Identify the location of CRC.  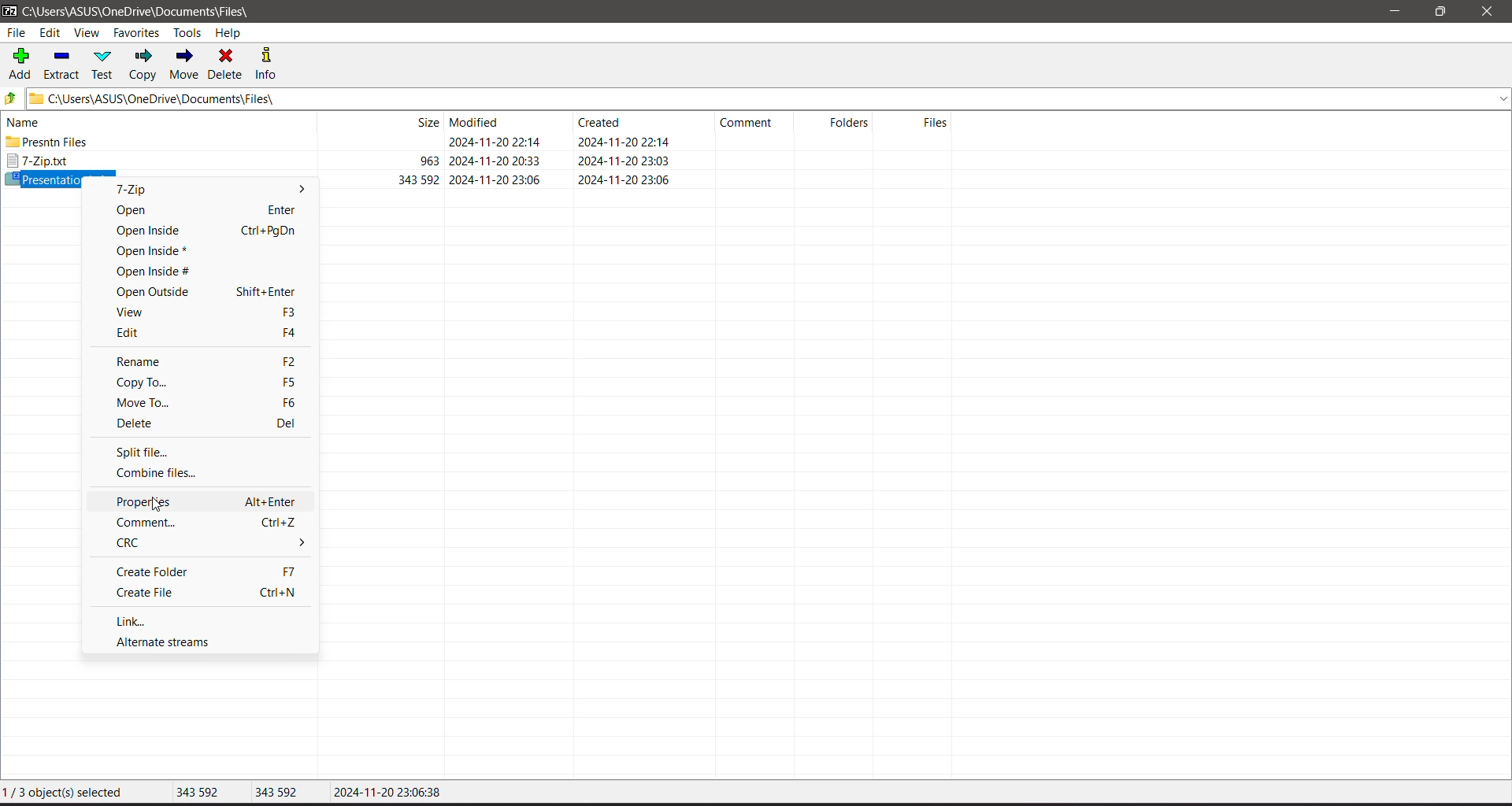
(154, 543).